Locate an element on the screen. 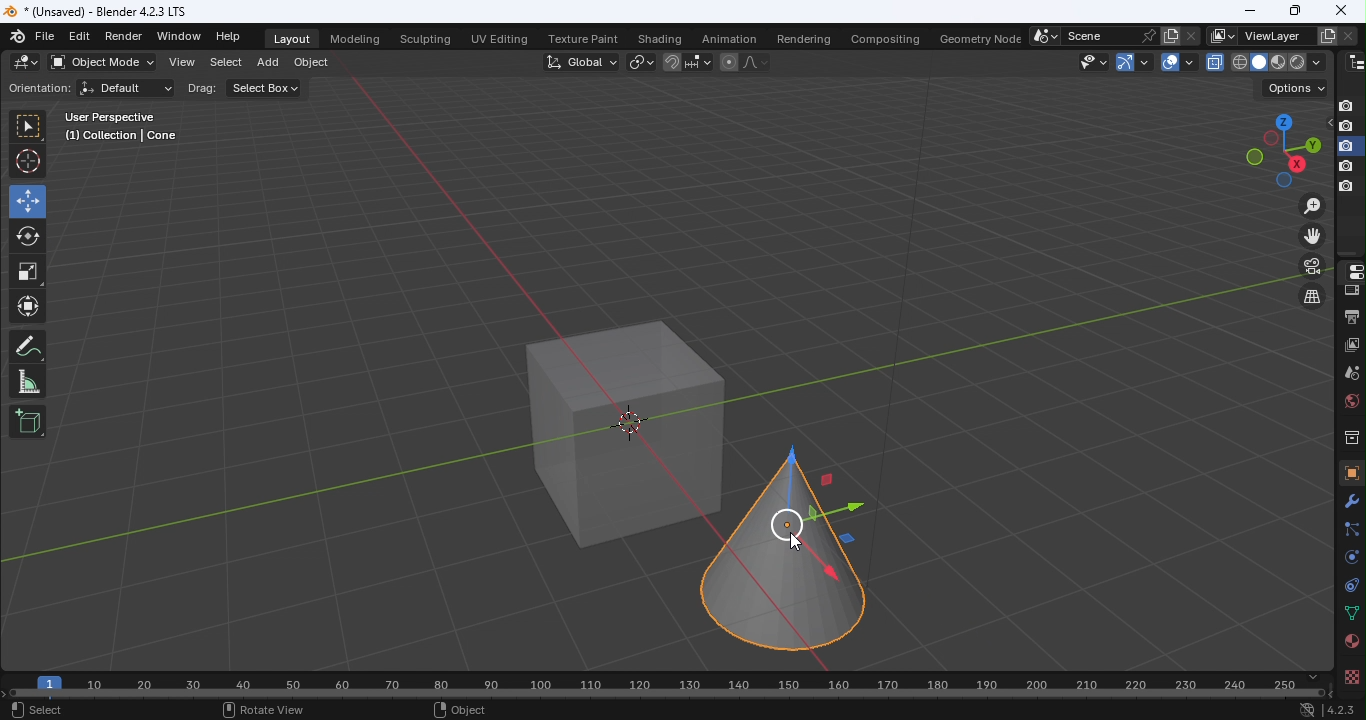 Image resolution: width=1366 pixels, height=720 pixels. New scene is located at coordinates (1169, 35).